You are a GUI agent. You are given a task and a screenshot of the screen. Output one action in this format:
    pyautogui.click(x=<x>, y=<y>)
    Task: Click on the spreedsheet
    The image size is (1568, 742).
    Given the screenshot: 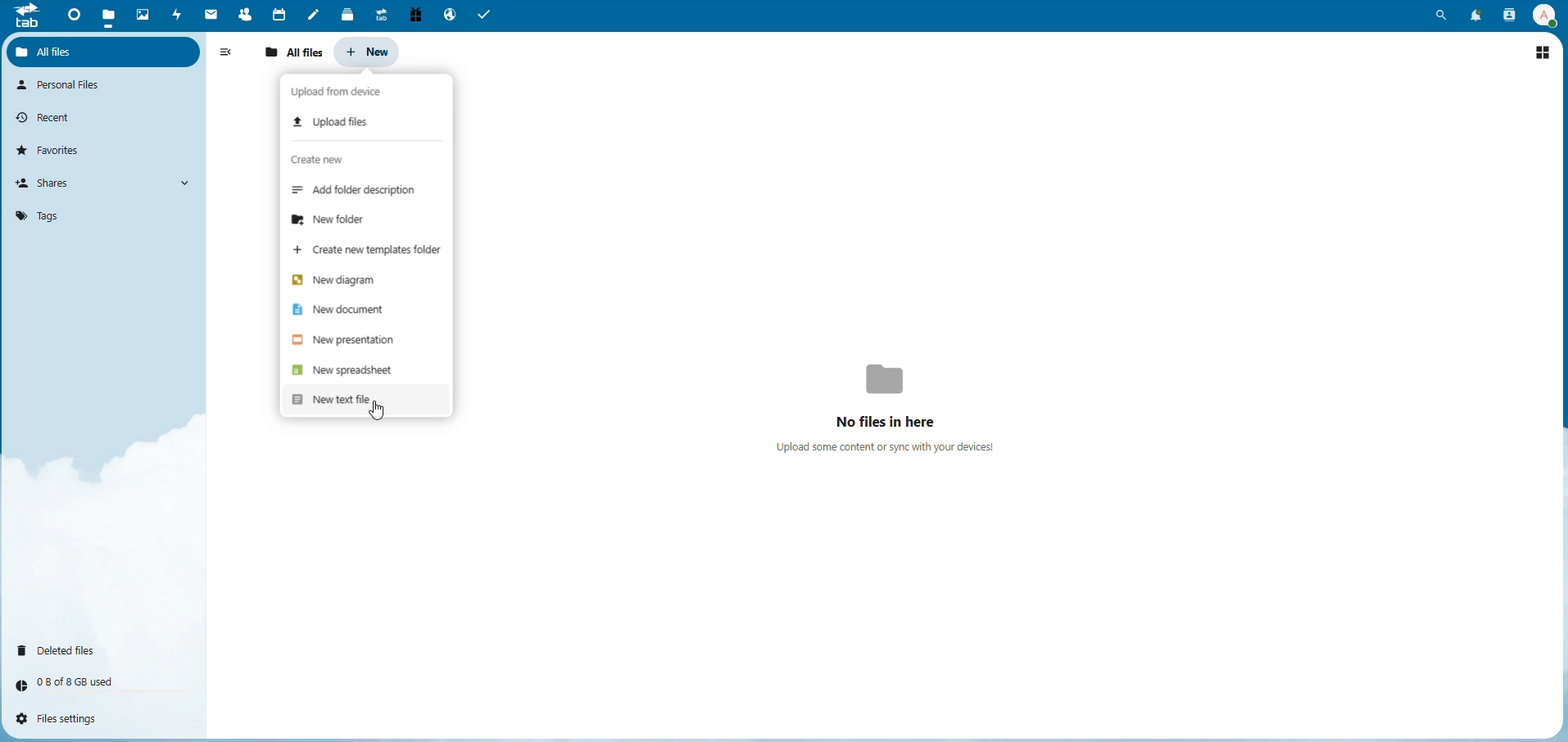 What is the action you would take?
    pyautogui.click(x=343, y=371)
    